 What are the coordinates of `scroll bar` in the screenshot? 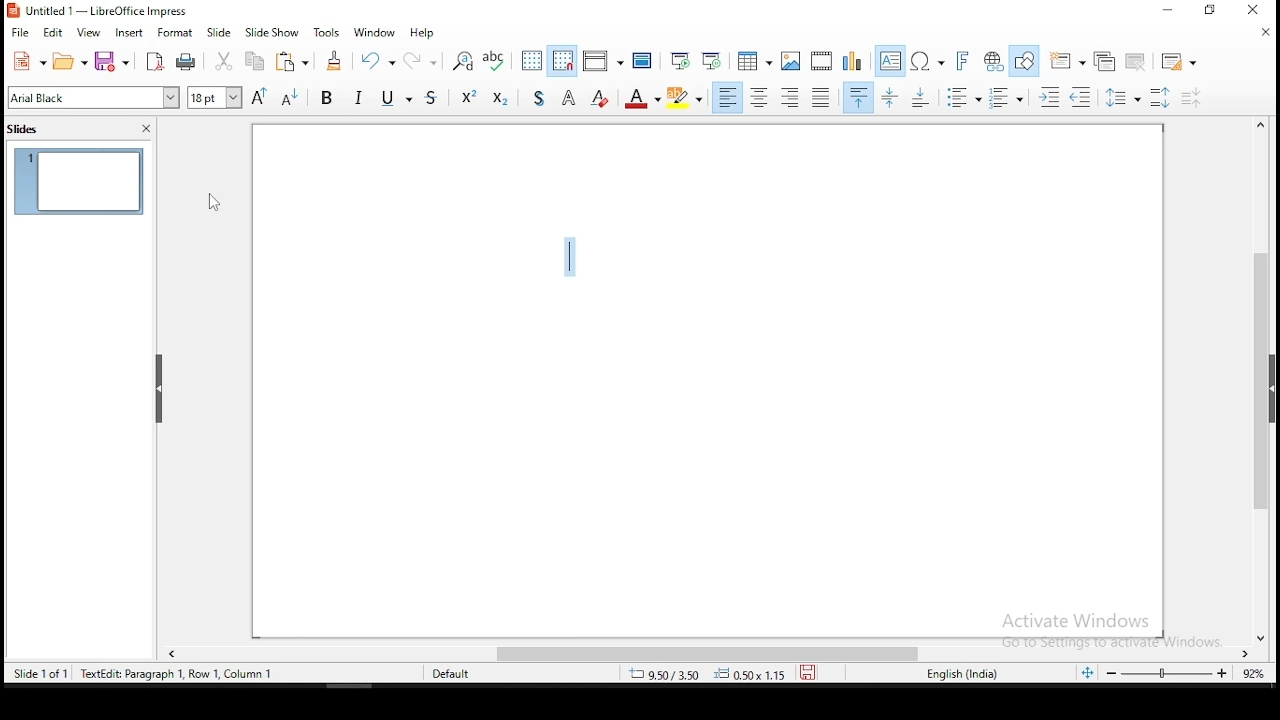 It's located at (713, 655).